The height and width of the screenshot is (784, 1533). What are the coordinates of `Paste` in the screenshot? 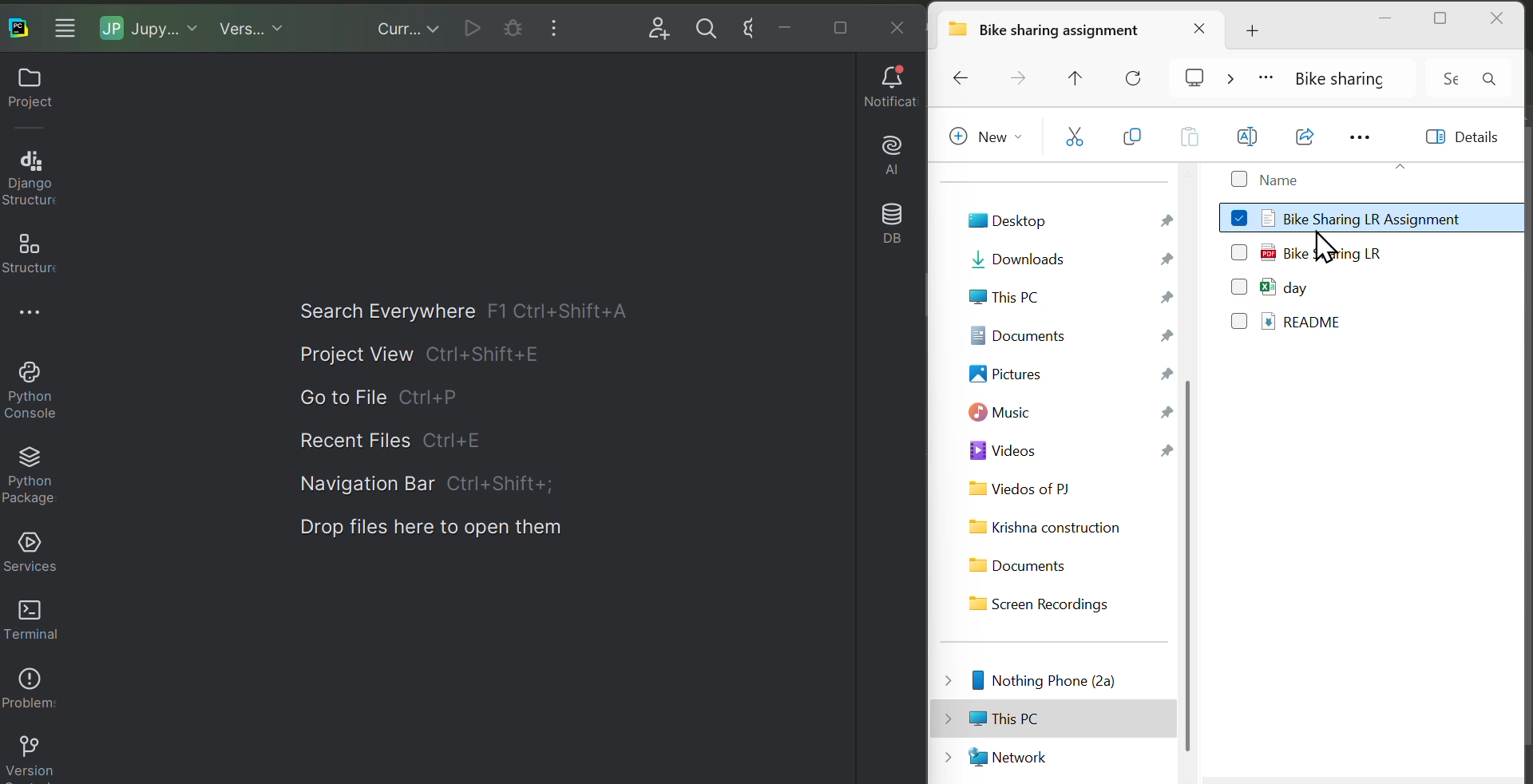 It's located at (1188, 140).